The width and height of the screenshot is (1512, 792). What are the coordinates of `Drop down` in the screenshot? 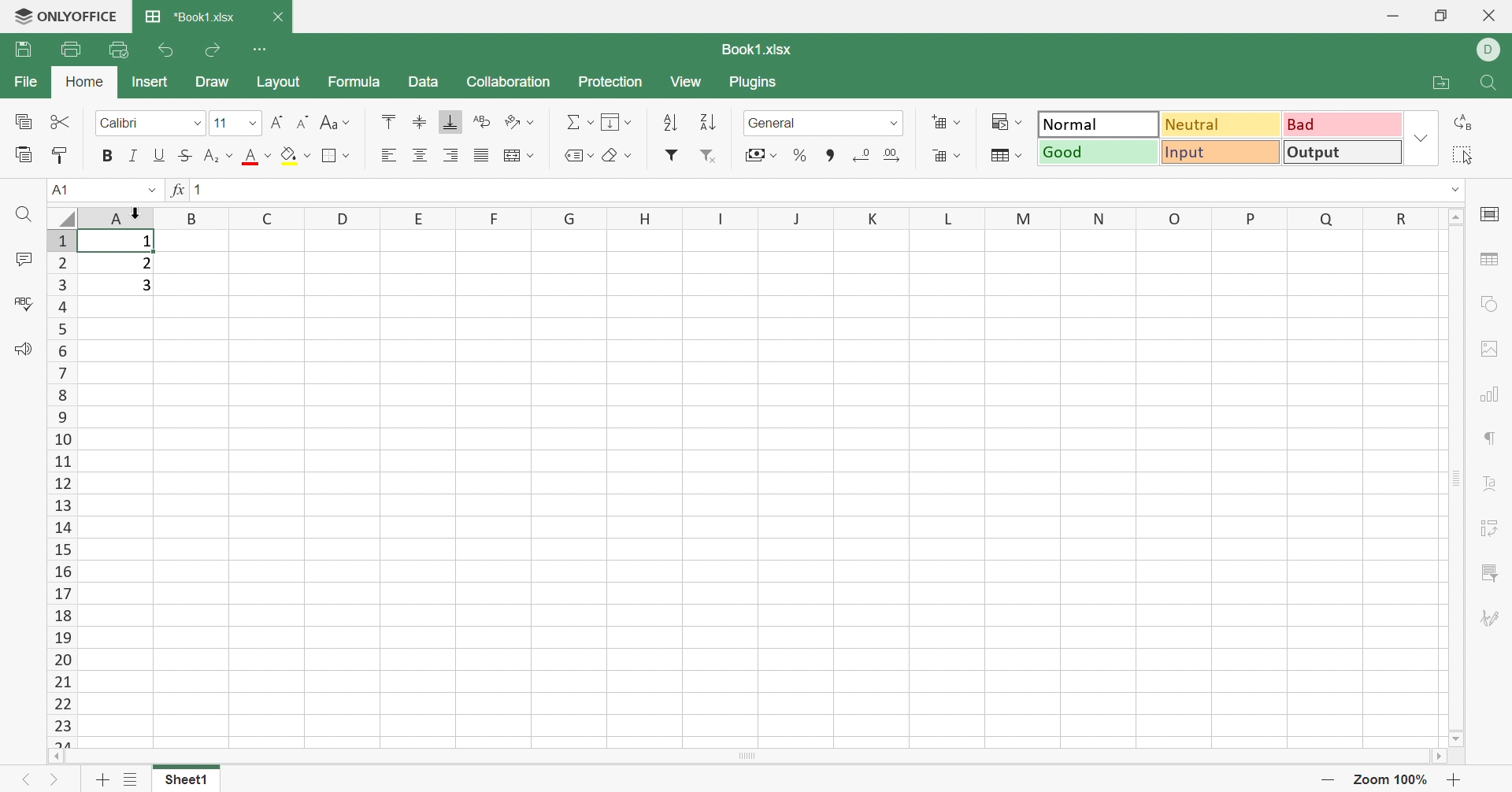 It's located at (1421, 136).